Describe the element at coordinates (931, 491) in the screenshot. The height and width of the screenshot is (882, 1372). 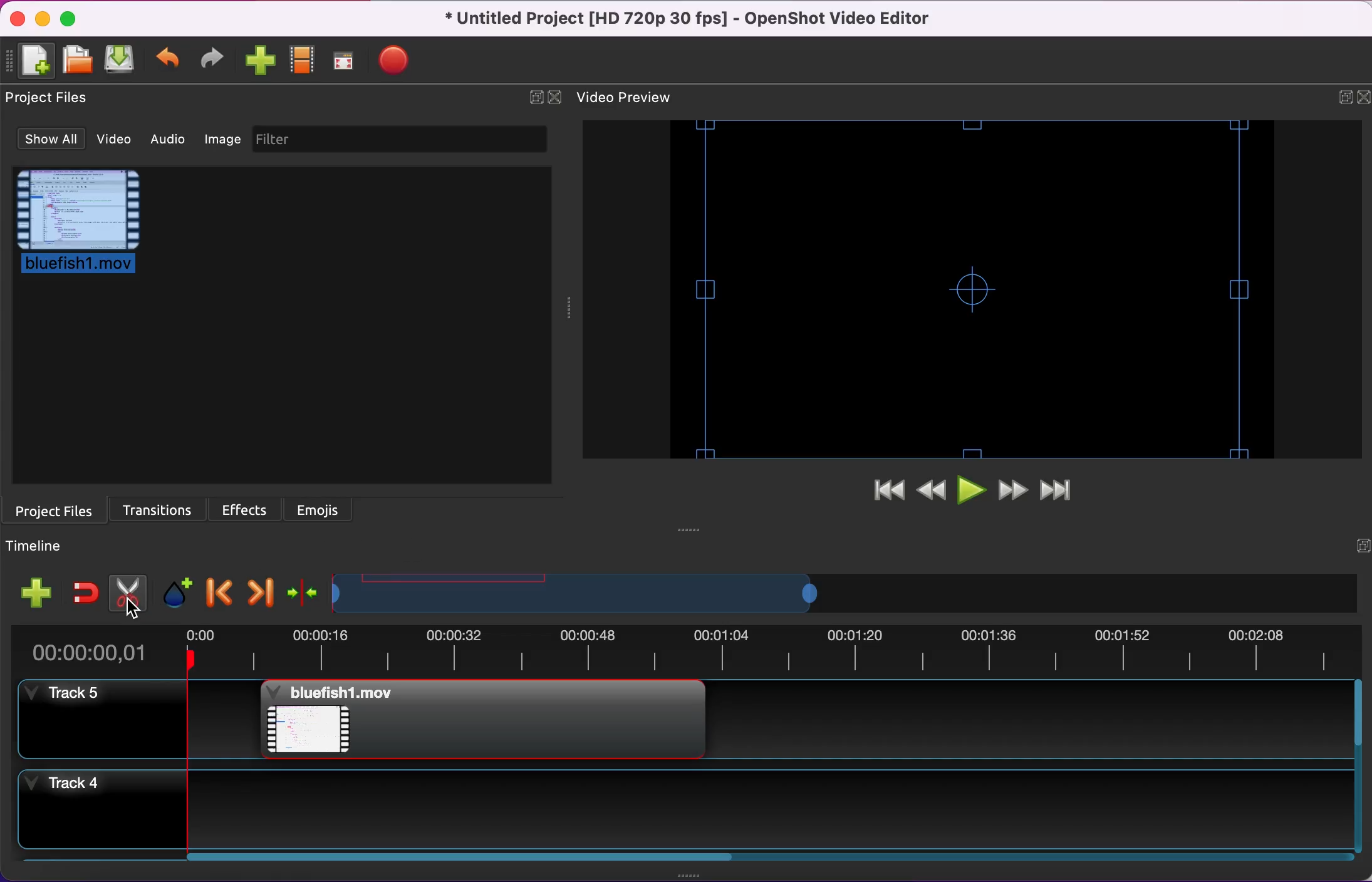
I see `rewind` at that location.